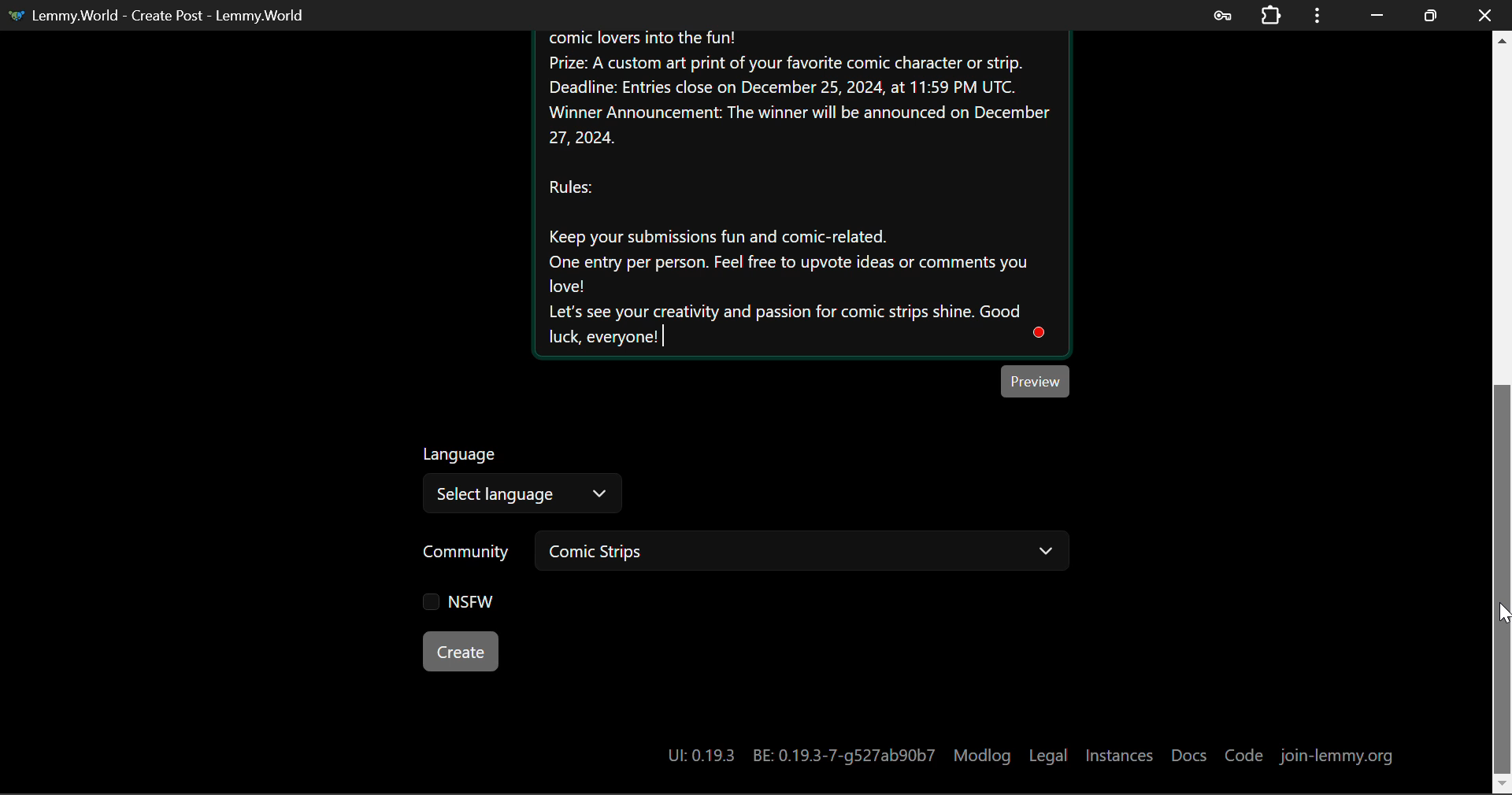 This screenshot has height=795, width=1512. Describe the element at coordinates (1270, 15) in the screenshot. I see `Extensions` at that location.